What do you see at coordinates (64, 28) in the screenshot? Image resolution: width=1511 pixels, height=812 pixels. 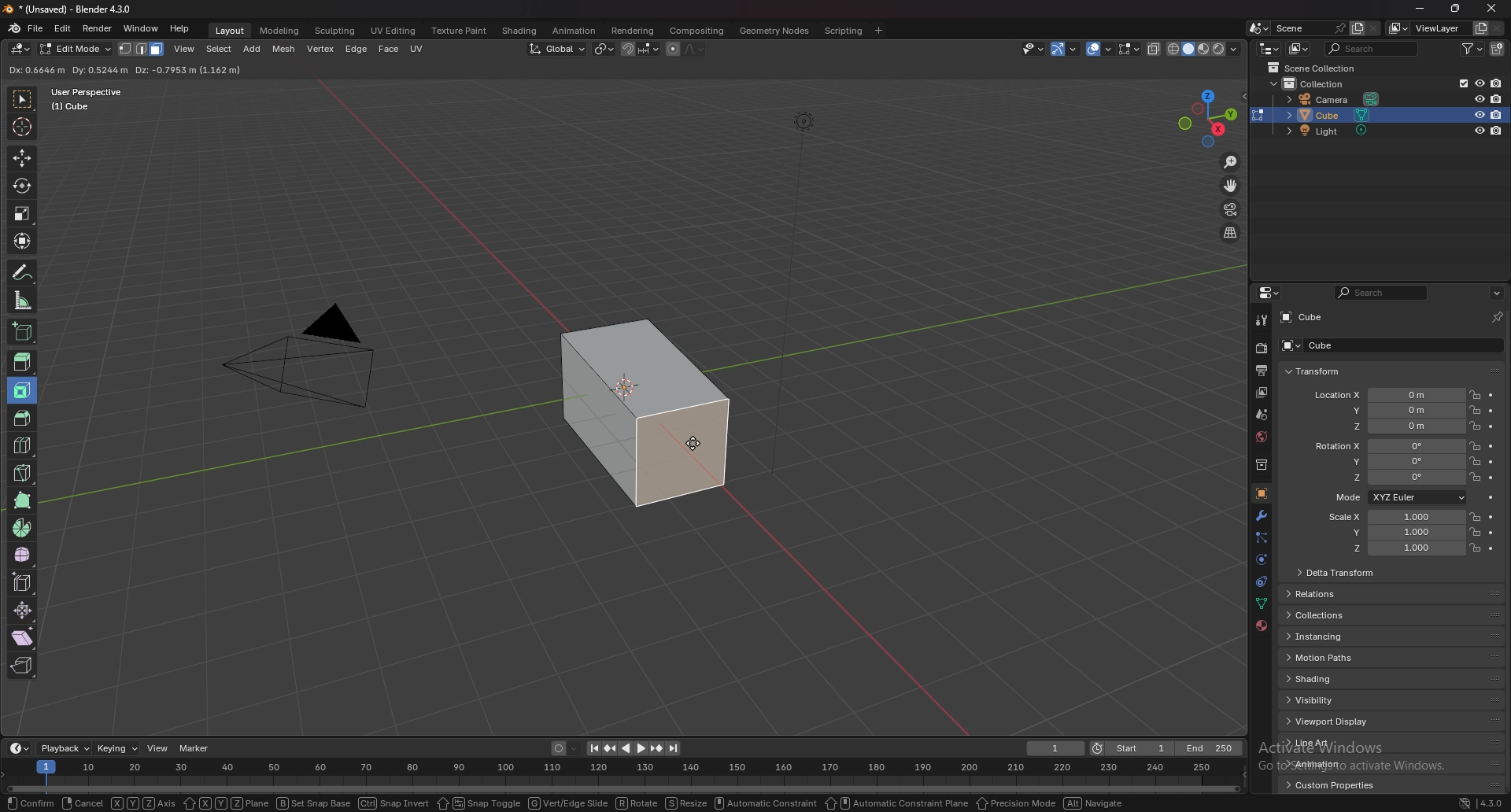 I see `edit` at bounding box center [64, 28].